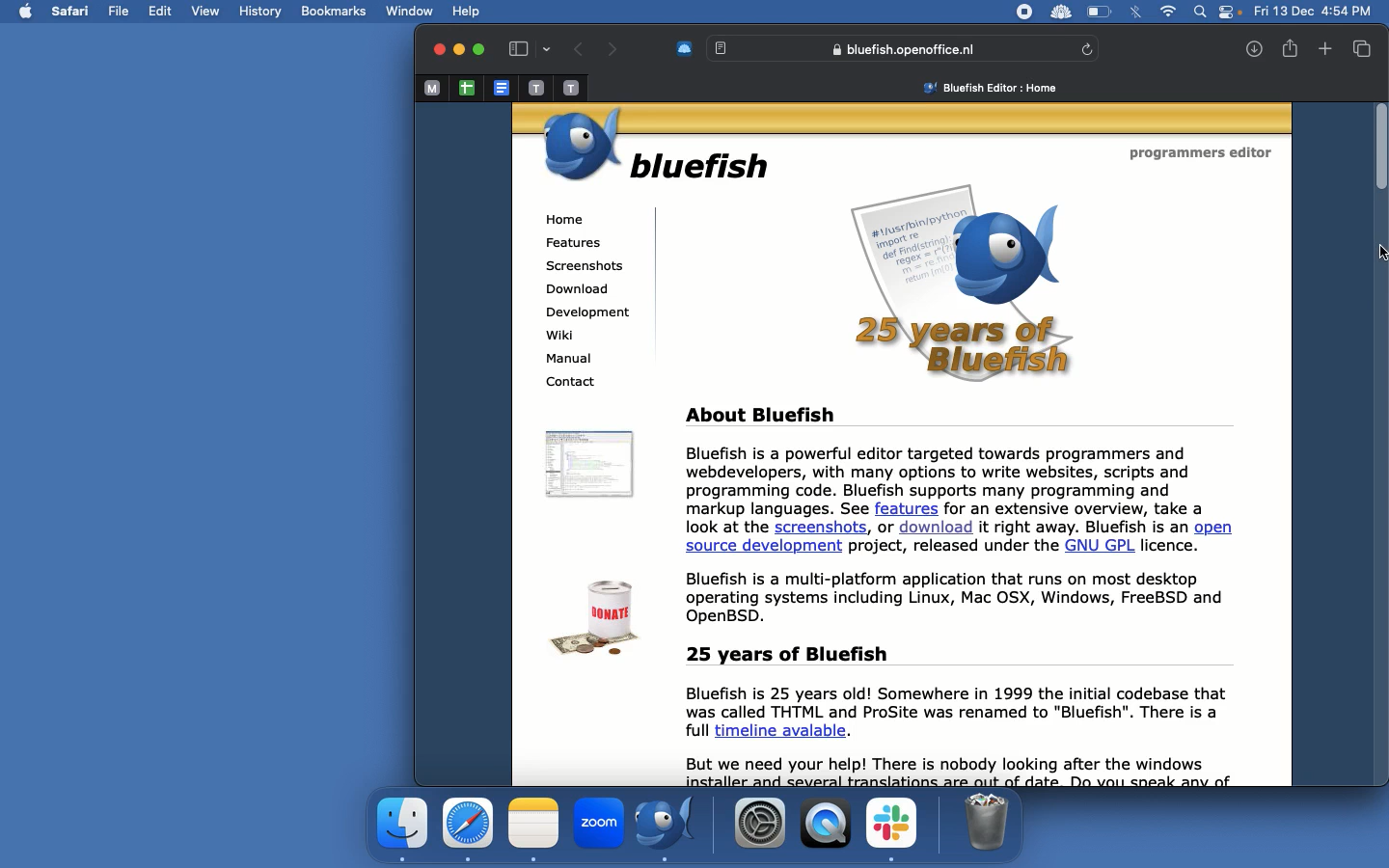 Image resolution: width=1389 pixels, height=868 pixels. Describe the element at coordinates (1192, 150) in the screenshot. I see `Programme editor` at that location.